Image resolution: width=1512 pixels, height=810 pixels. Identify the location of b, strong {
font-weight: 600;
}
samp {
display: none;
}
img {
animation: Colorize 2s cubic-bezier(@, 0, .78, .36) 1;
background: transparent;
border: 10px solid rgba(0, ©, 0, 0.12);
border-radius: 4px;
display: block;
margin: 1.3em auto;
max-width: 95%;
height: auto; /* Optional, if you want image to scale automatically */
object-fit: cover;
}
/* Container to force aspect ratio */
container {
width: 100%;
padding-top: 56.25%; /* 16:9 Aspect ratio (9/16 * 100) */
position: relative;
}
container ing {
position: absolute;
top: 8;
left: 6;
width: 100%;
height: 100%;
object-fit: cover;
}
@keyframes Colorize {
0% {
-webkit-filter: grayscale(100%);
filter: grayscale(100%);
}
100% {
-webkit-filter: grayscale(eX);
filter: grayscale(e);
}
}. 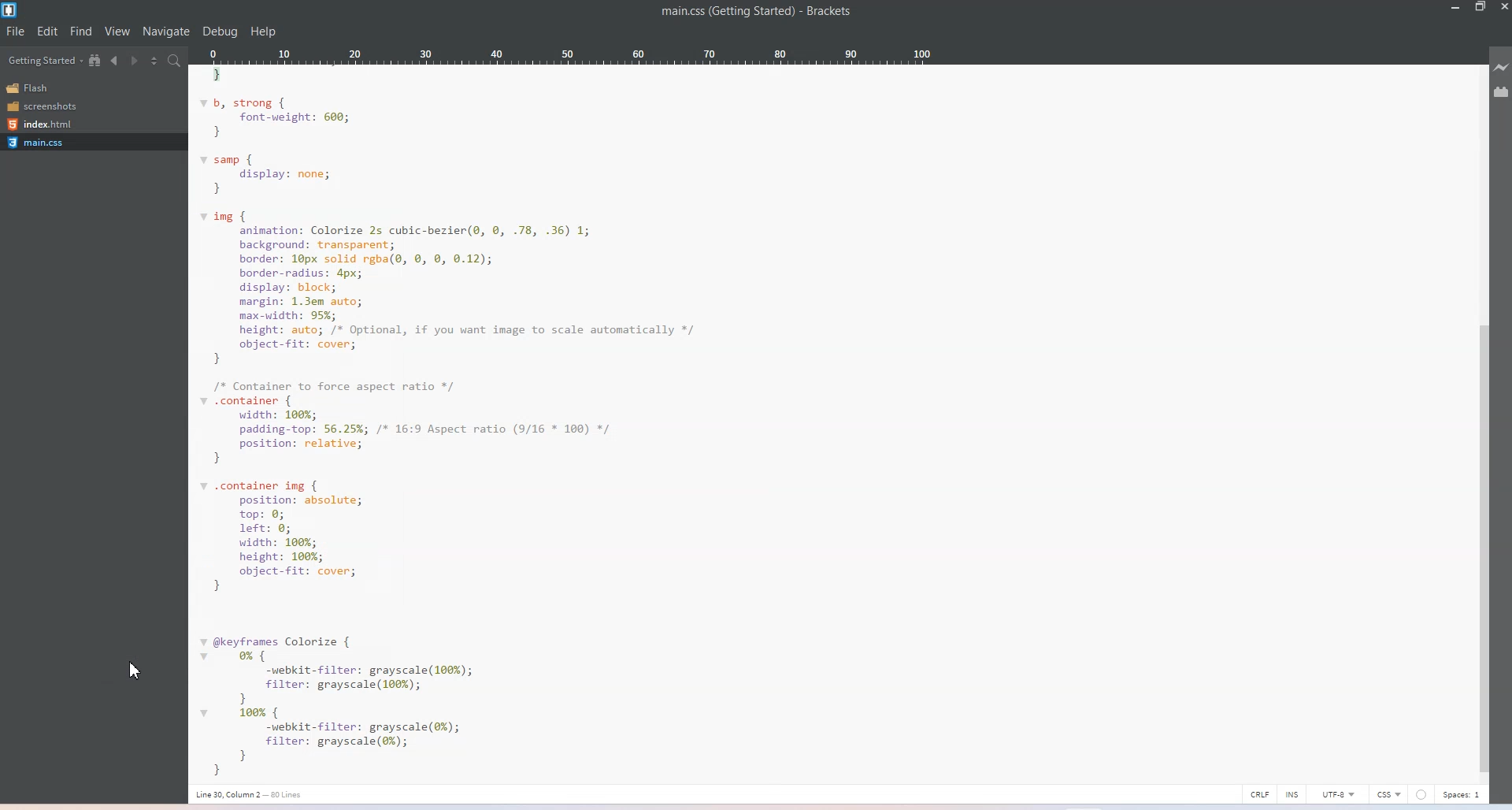
(828, 422).